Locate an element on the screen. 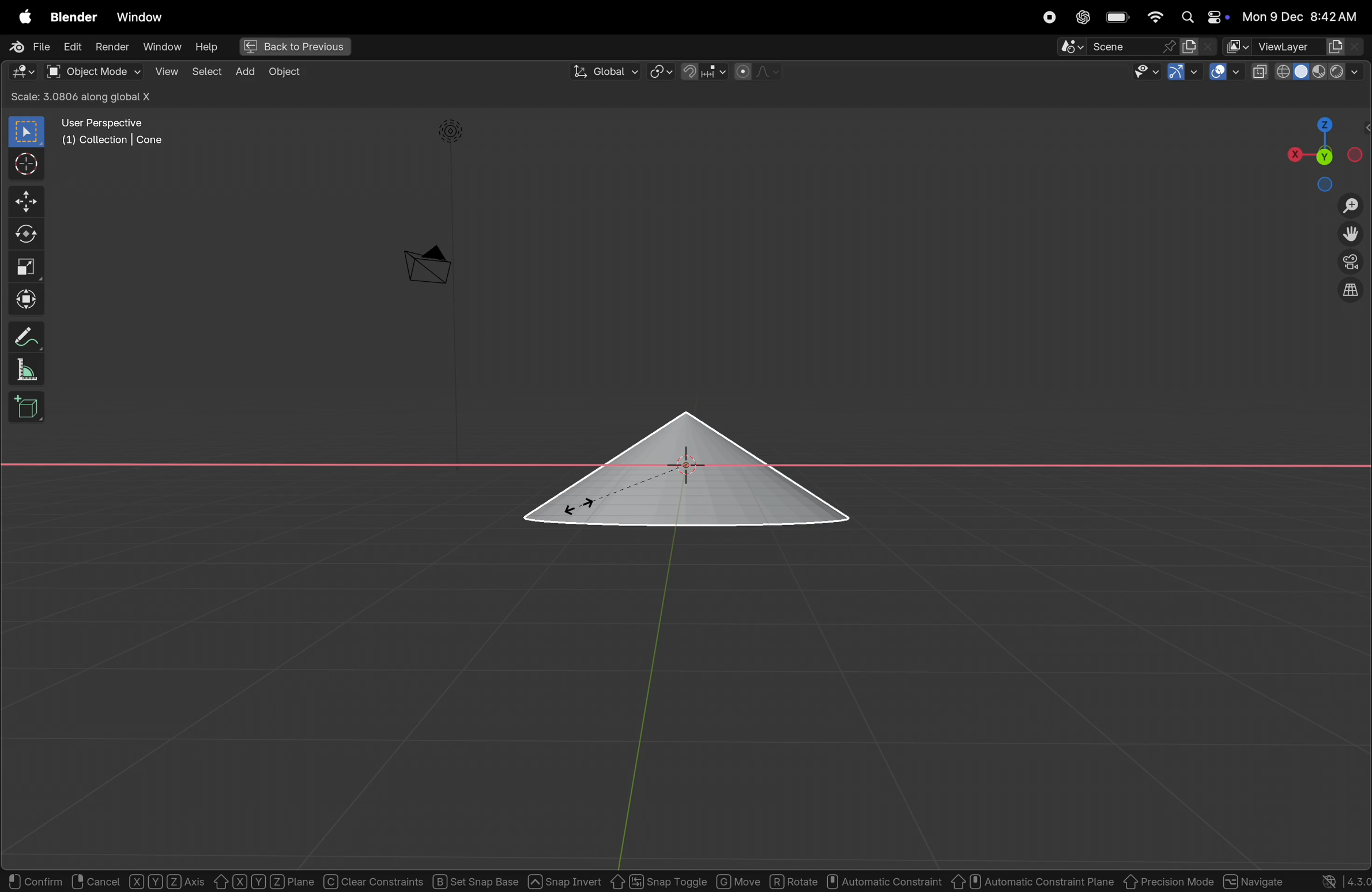 Image resolution: width=1372 pixels, height=892 pixels. show visinlilty is located at coordinates (1147, 72).